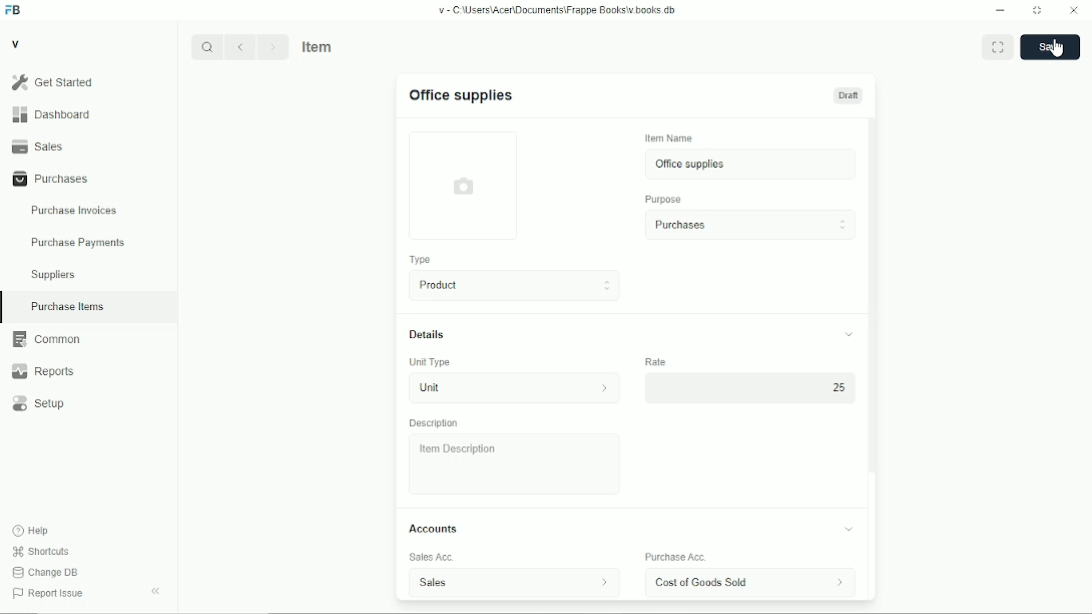 Image resolution: width=1092 pixels, height=614 pixels. What do you see at coordinates (319, 46) in the screenshot?
I see `item` at bounding box center [319, 46].